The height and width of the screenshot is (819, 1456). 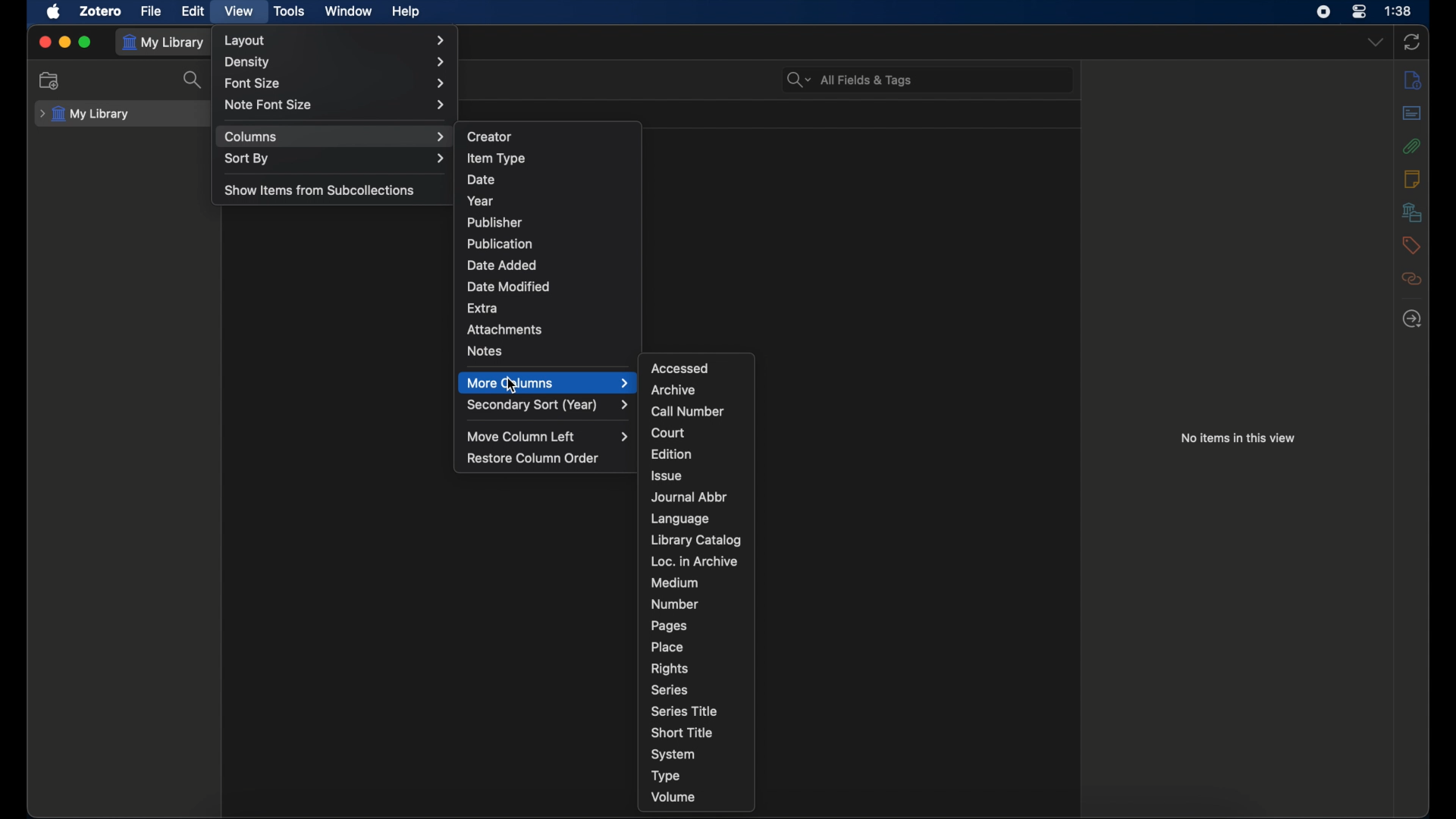 I want to click on time (1:38), so click(x=1398, y=11).